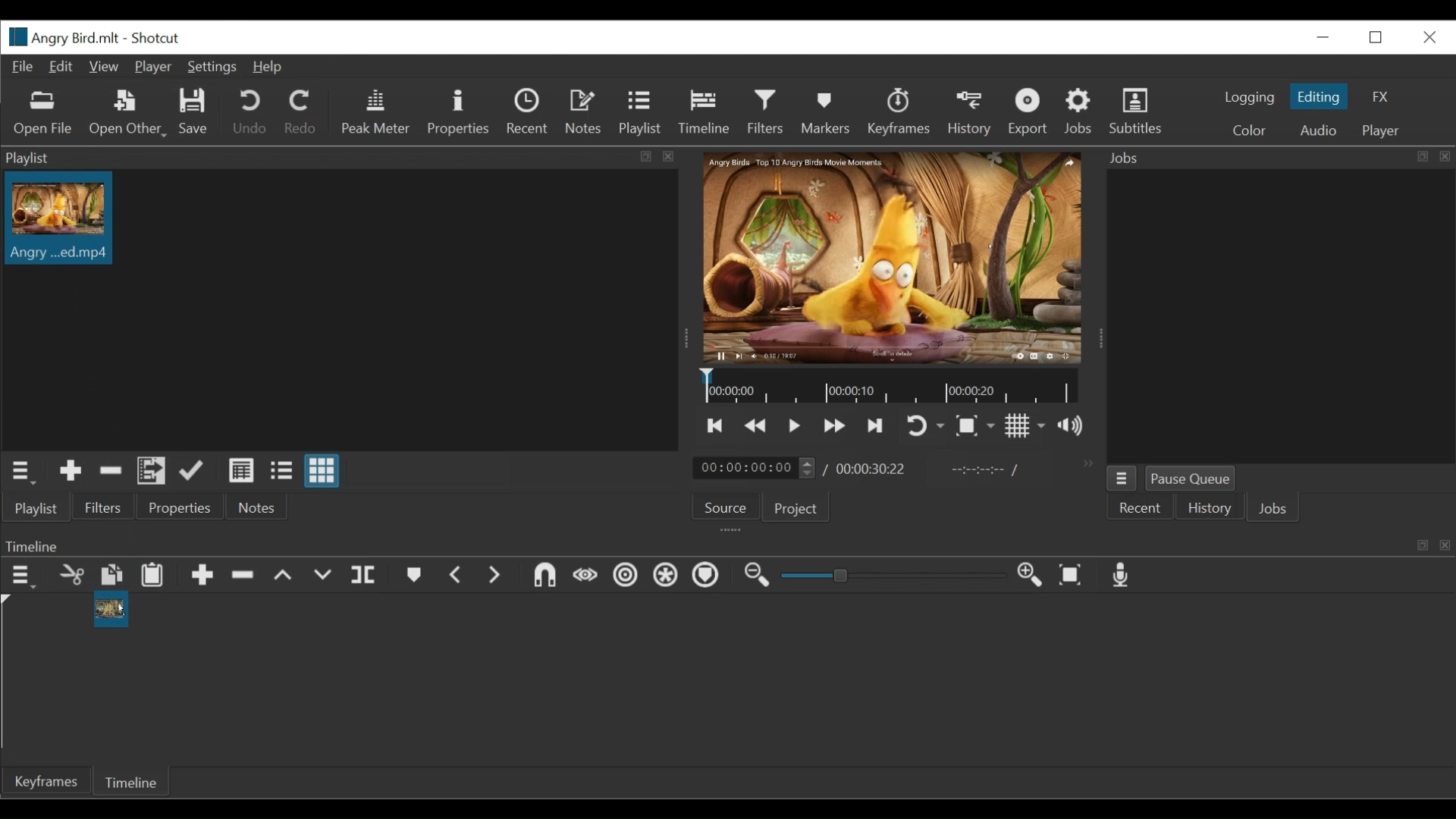 The height and width of the screenshot is (819, 1456). I want to click on Media Viewer, so click(894, 257).